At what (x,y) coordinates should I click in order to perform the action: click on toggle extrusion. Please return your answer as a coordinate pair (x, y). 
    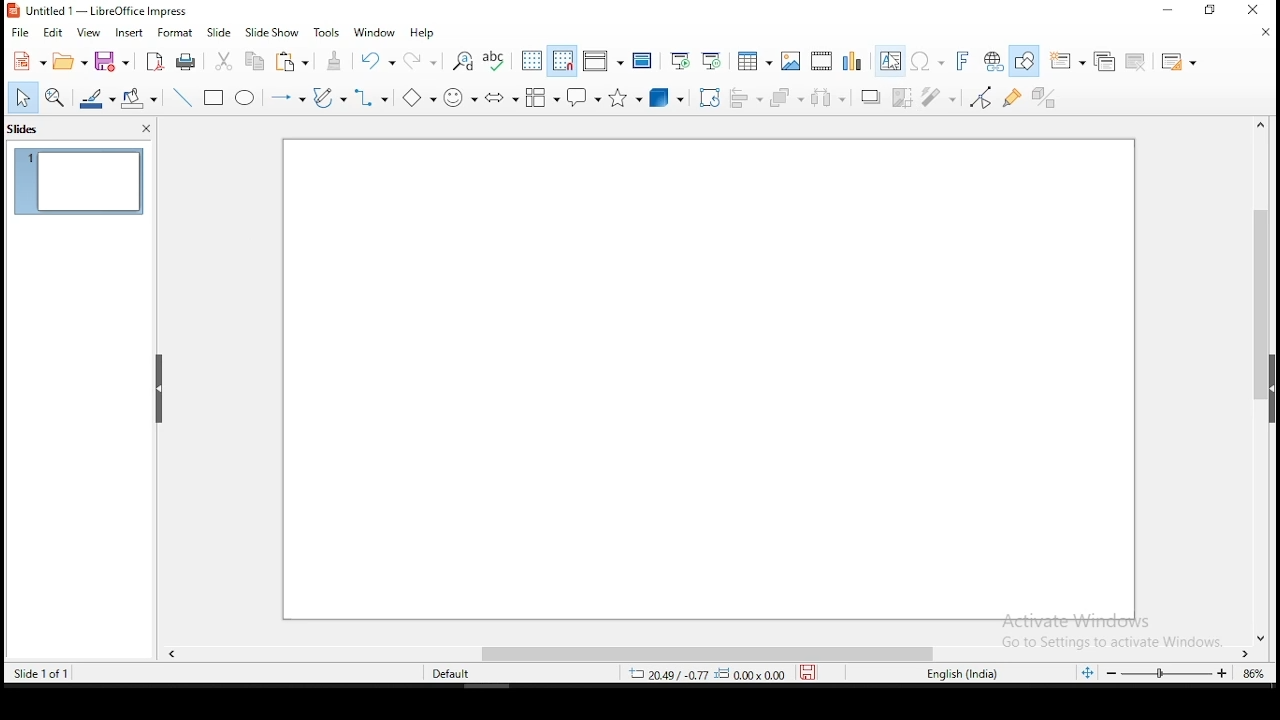
    Looking at the image, I should click on (1044, 98).